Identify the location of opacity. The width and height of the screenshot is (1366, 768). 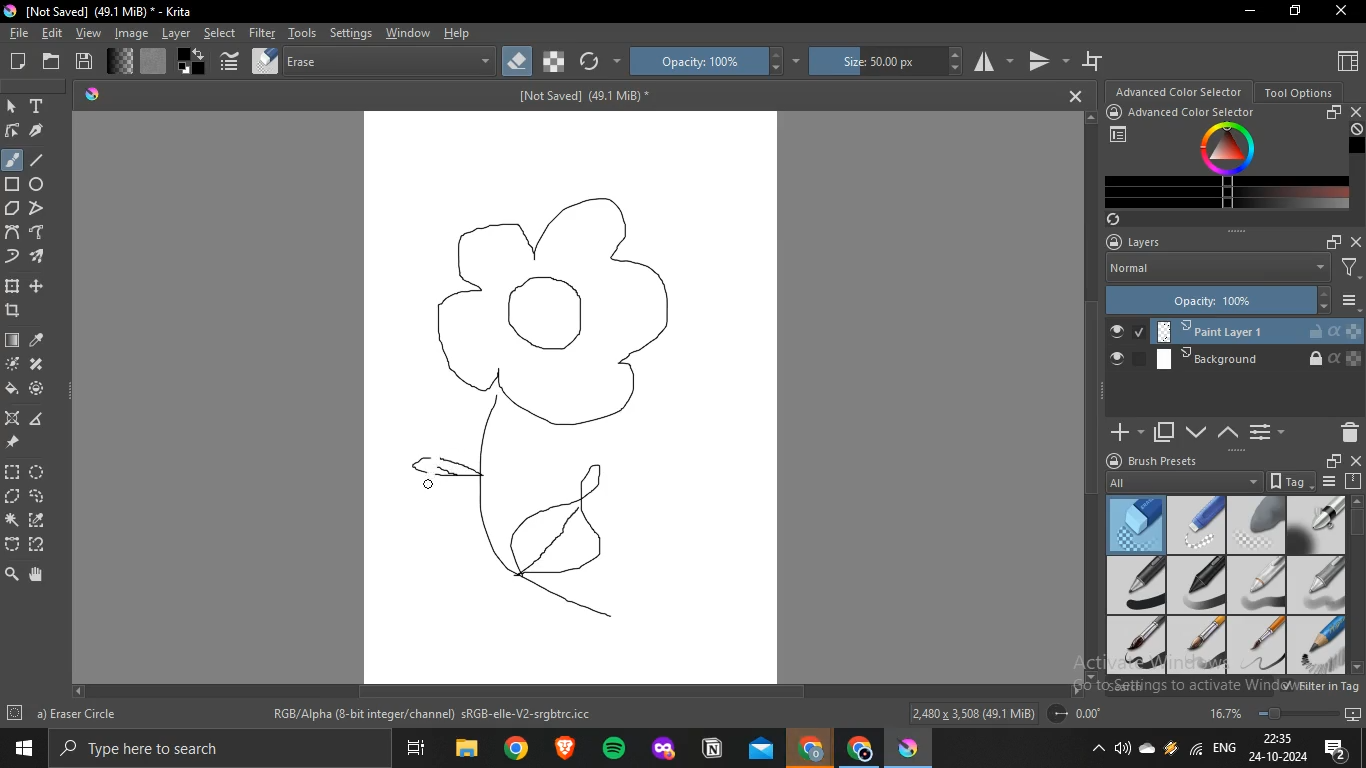
(716, 63).